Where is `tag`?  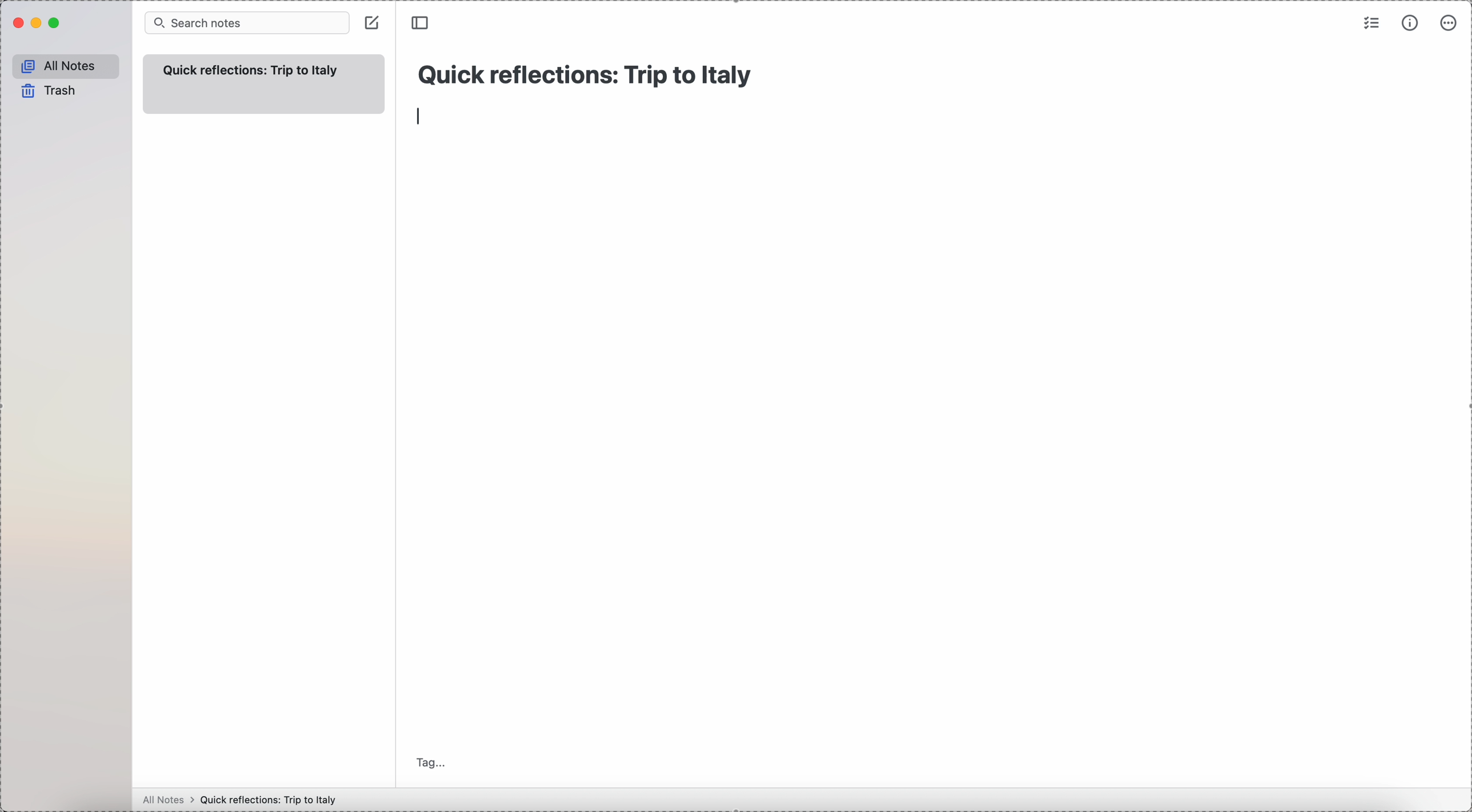 tag is located at coordinates (431, 762).